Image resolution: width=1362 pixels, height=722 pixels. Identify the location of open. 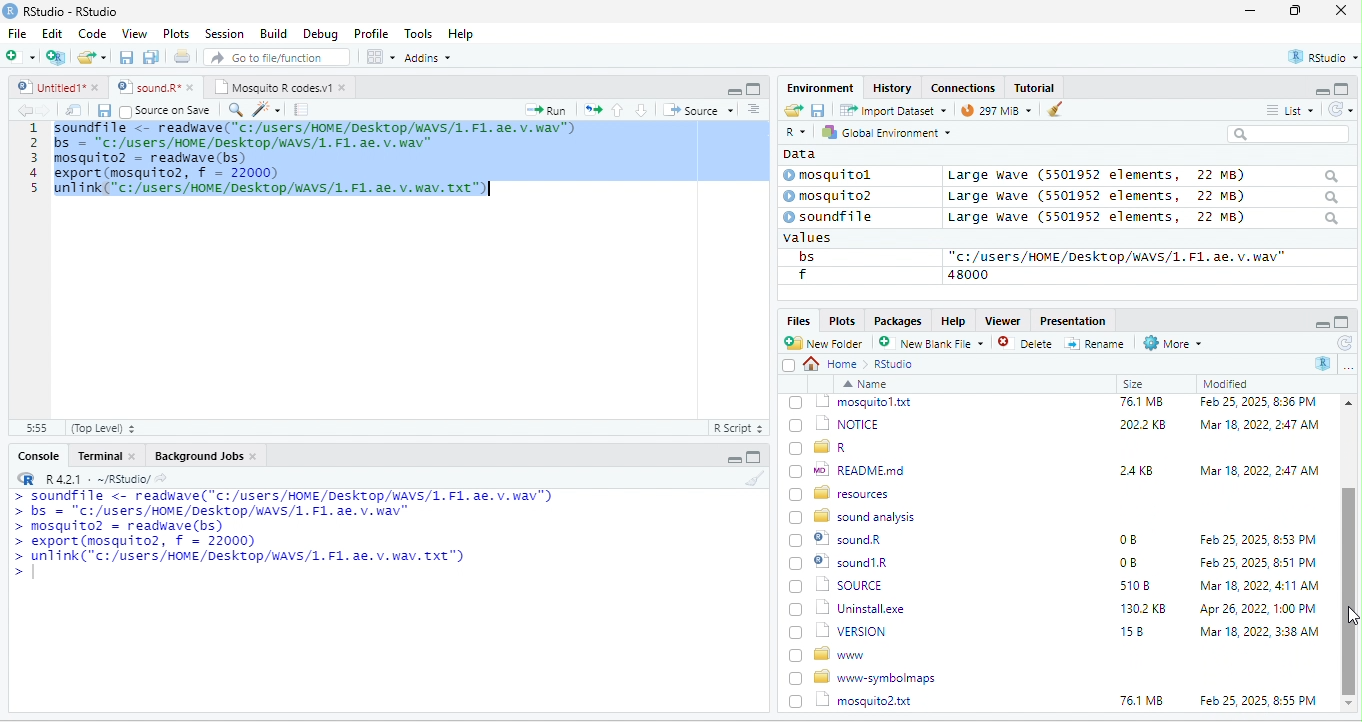
(792, 111).